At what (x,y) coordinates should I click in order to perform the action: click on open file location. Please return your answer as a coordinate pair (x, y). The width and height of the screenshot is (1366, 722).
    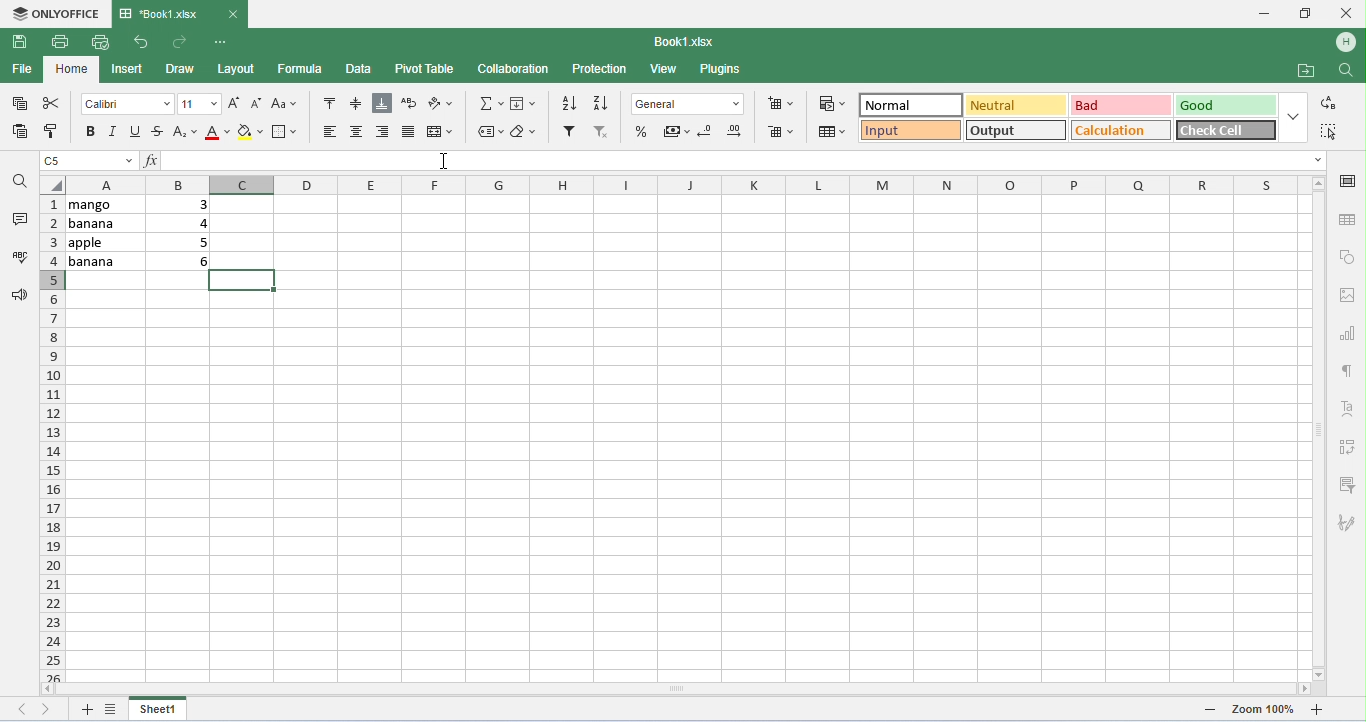
    Looking at the image, I should click on (1307, 71).